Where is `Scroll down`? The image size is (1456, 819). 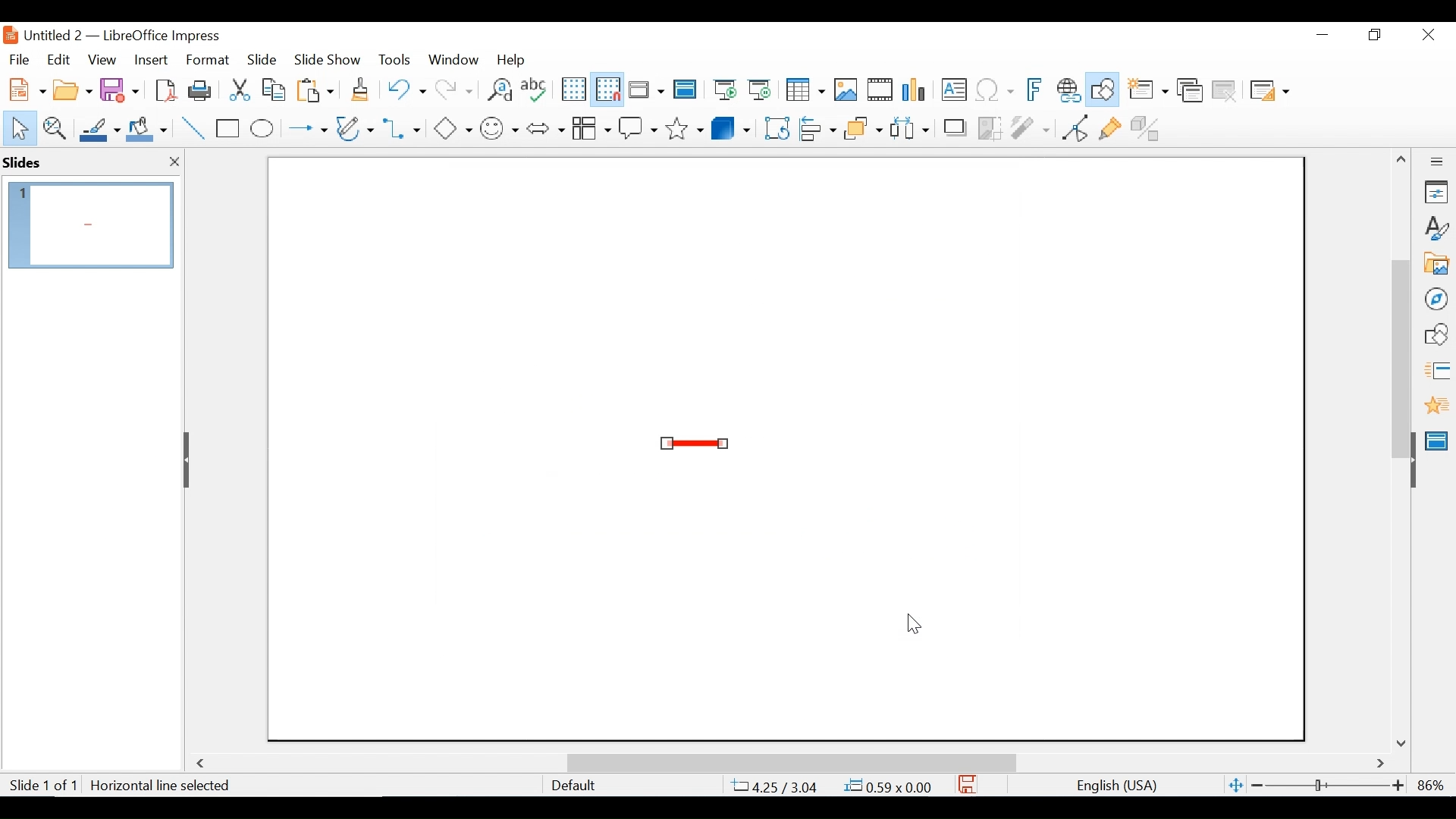 Scroll down is located at coordinates (1404, 742).